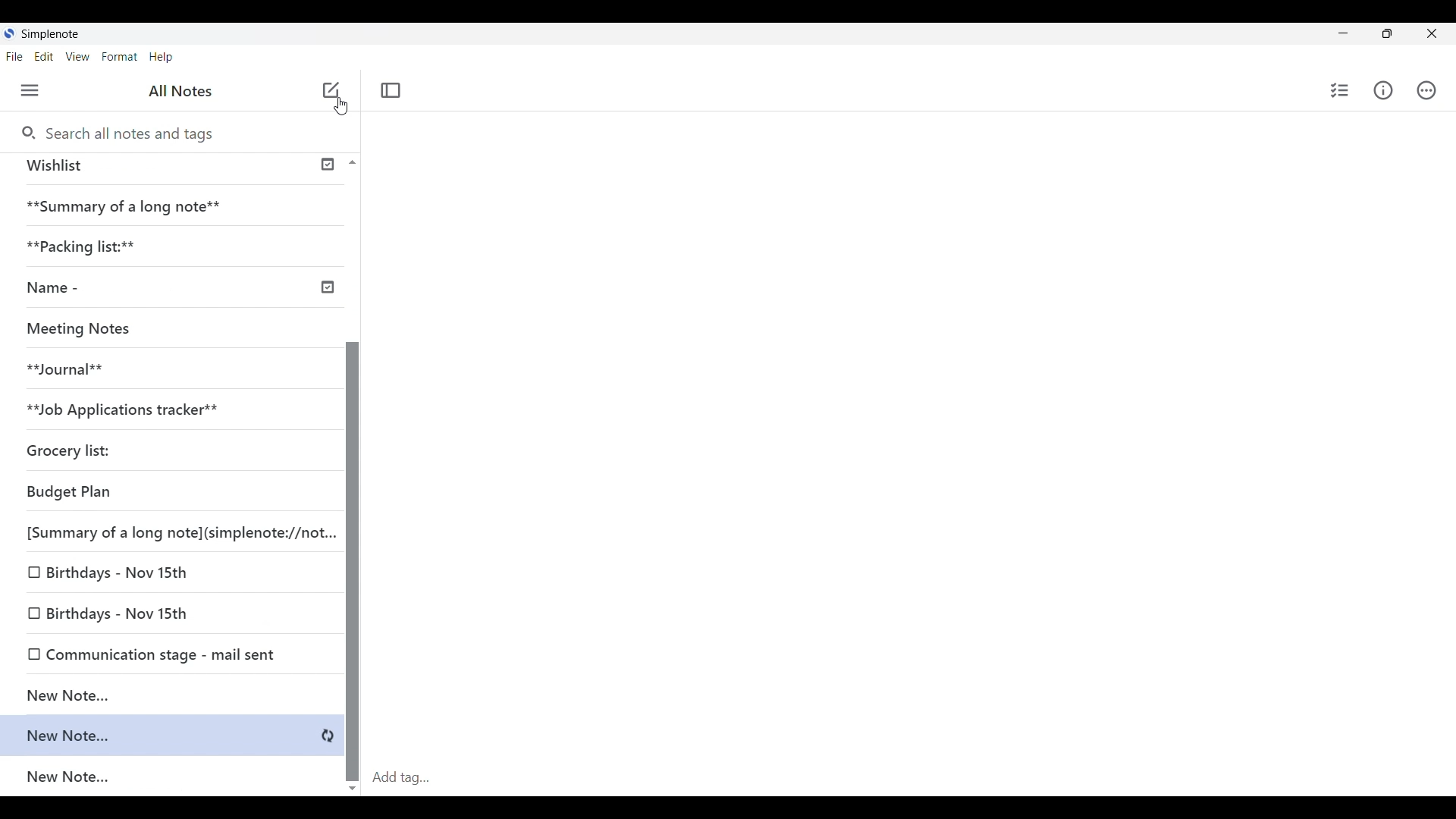 This screenshot has width=1456, height=819. I want to click on **Job Applications tracker**, so click(136, 411).